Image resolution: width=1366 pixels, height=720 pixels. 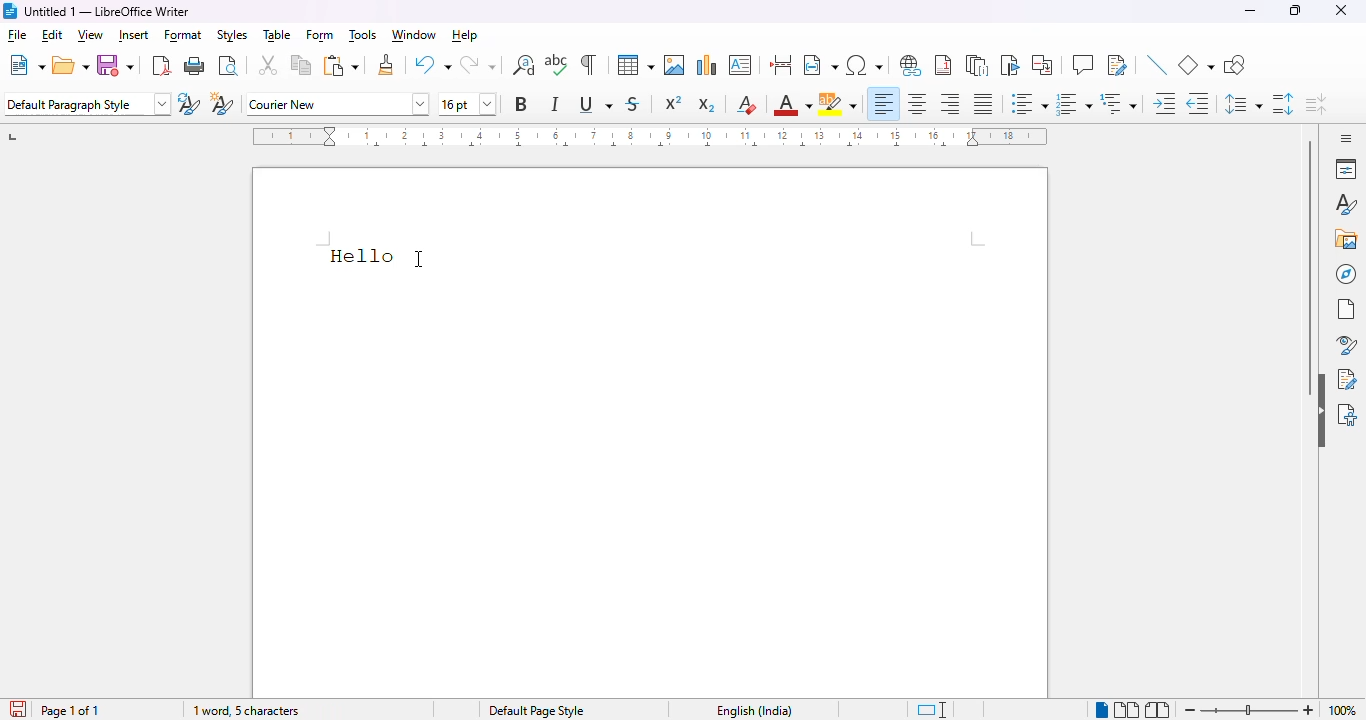 I want to click on find and replace, so click(x=524, y=65).